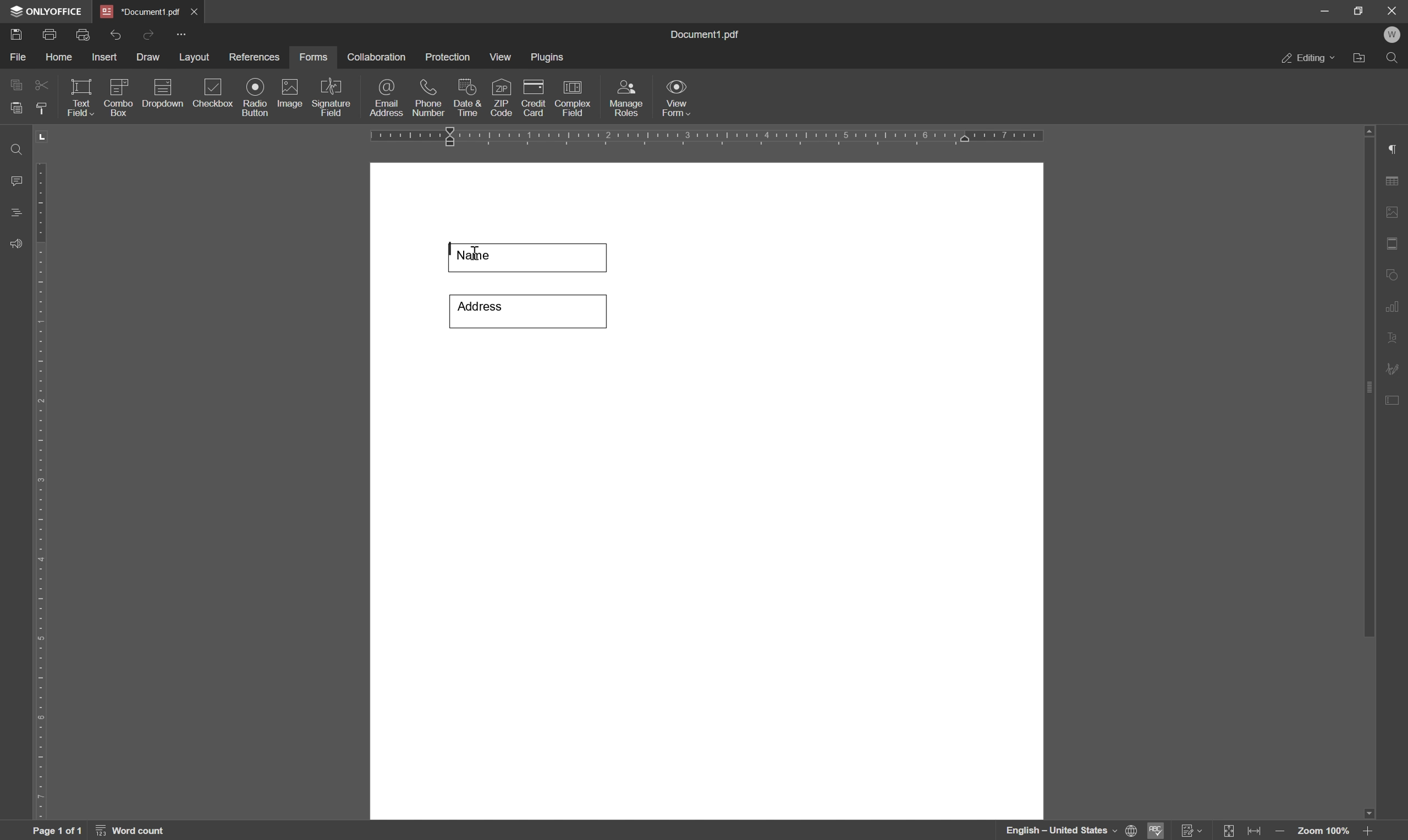 This screenshot has width=1408, height=840. Describe the element at coordinates (1370, 380) in the screenshot. I see `scroll bar` at that location.